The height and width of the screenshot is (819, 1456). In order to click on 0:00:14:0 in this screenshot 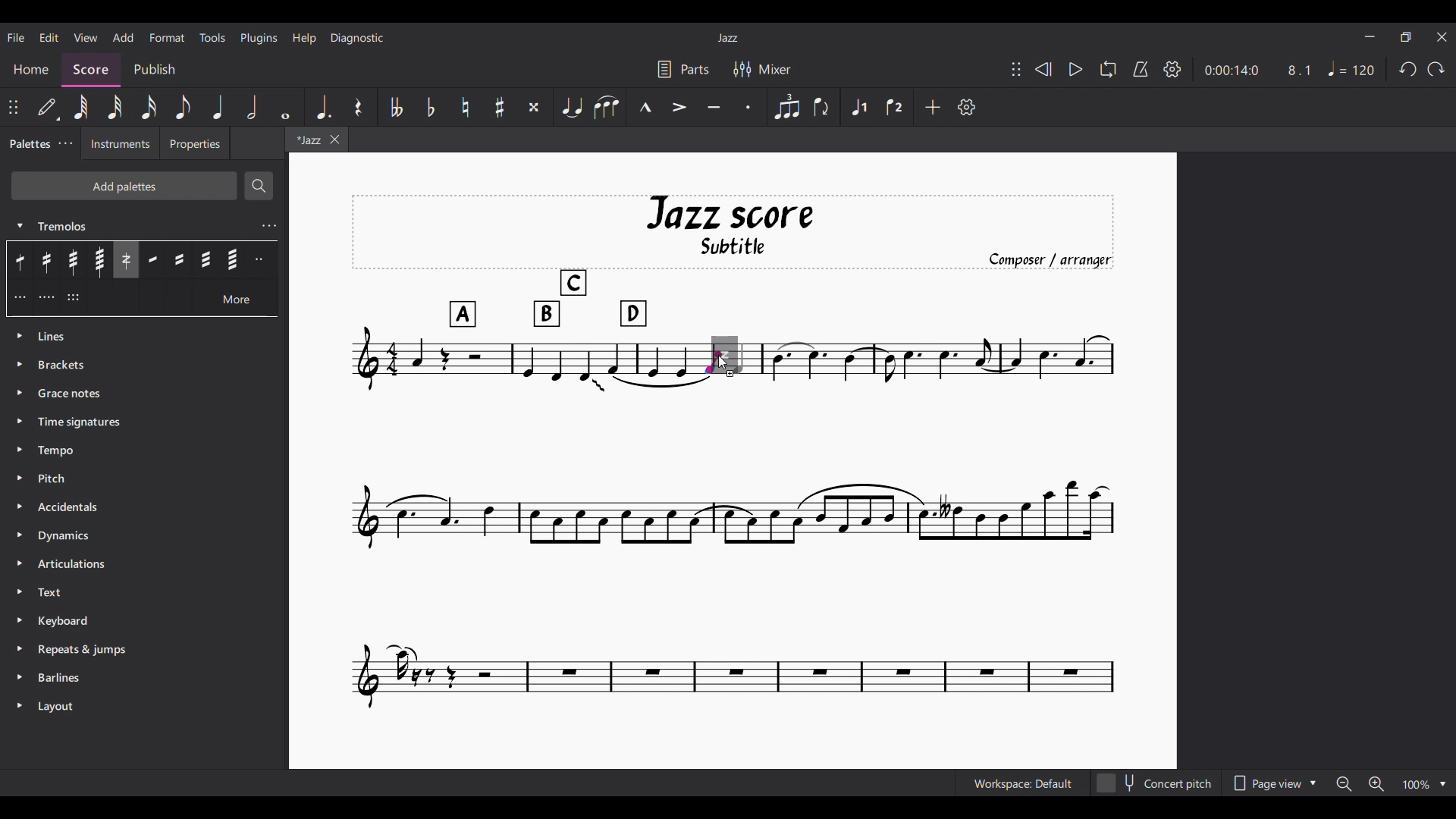, I will do `click(1232, 69)`.